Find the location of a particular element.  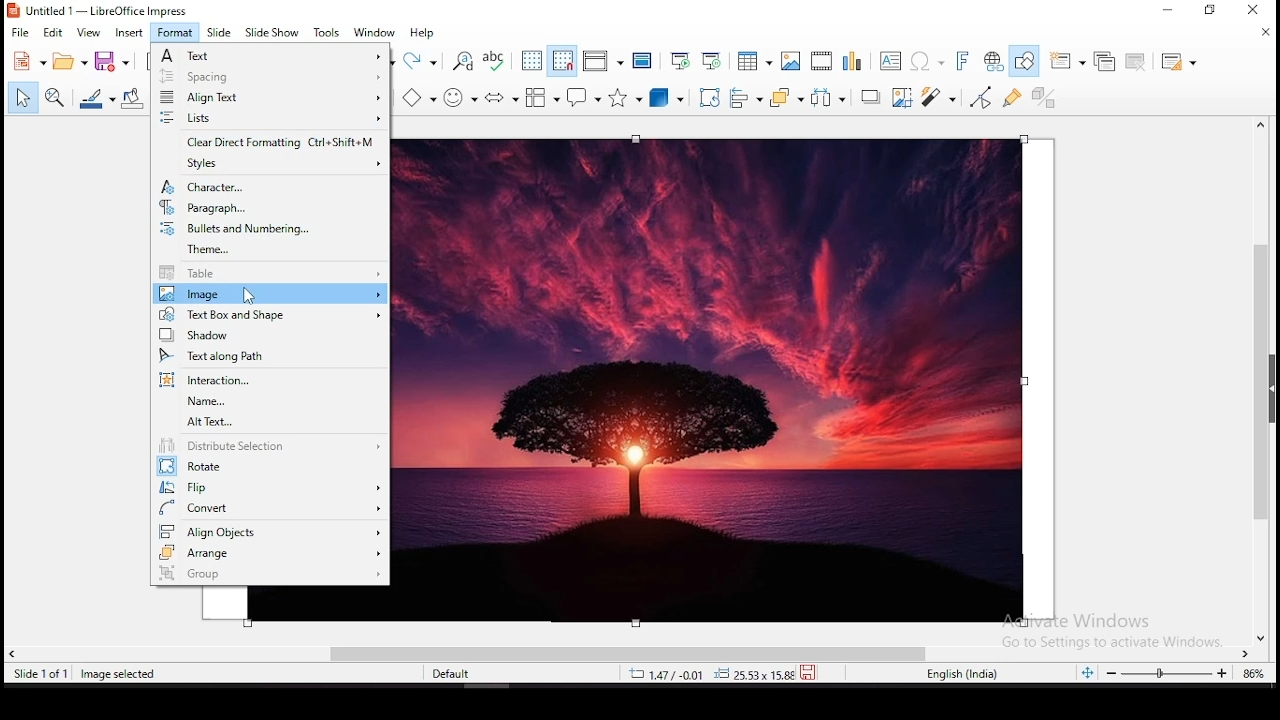

rotate is located at coordinates (707, 99).